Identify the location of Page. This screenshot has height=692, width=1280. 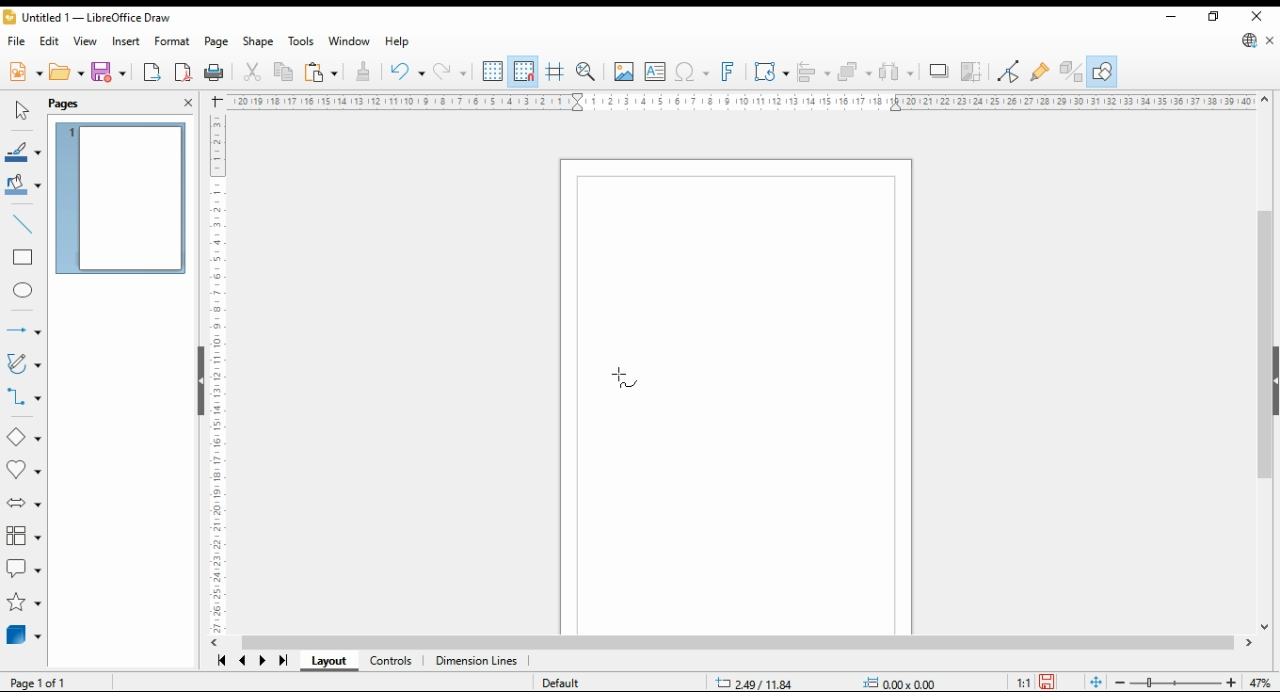
(736, 396).